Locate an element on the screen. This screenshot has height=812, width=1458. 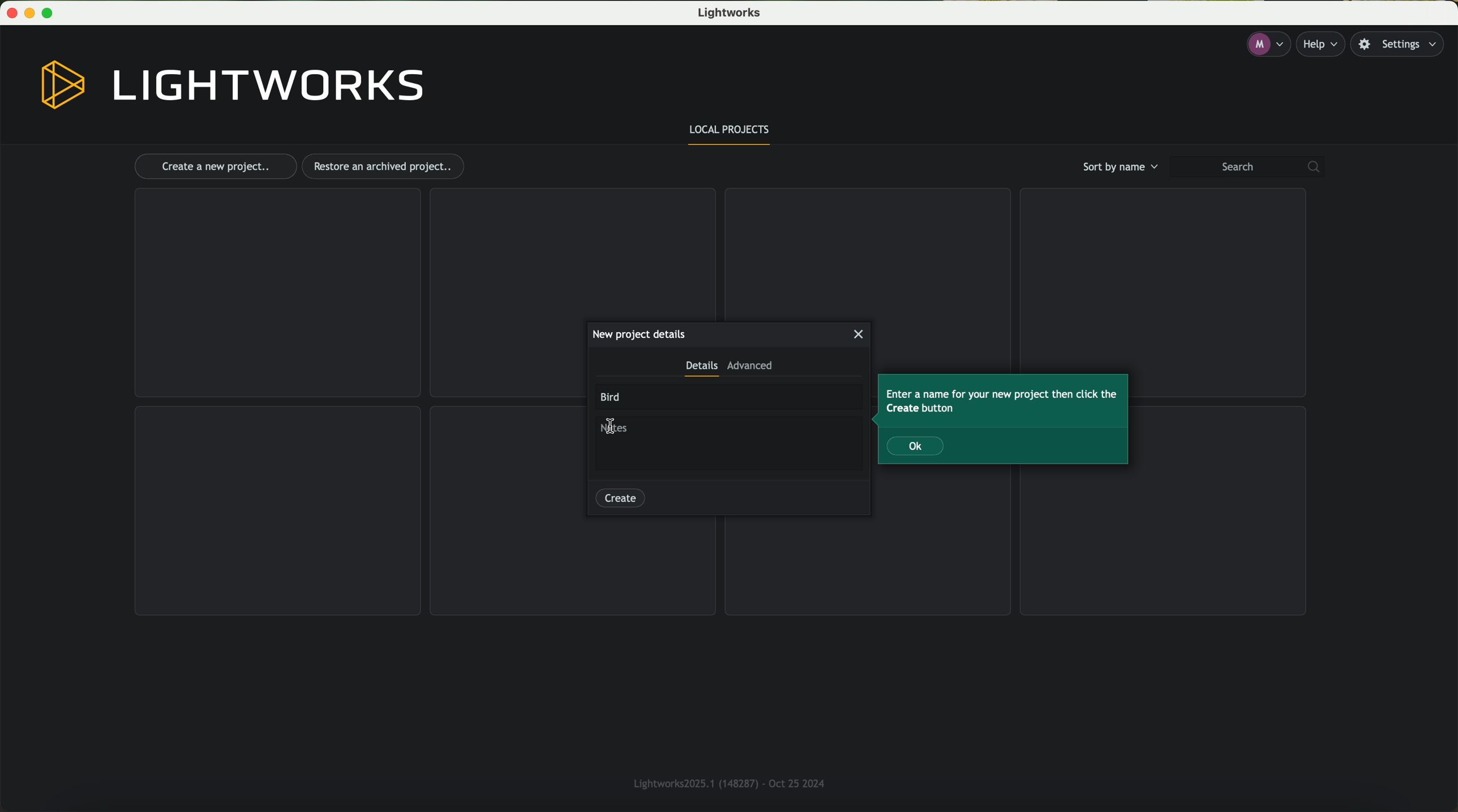
grid is located at coordinates (573, 568).